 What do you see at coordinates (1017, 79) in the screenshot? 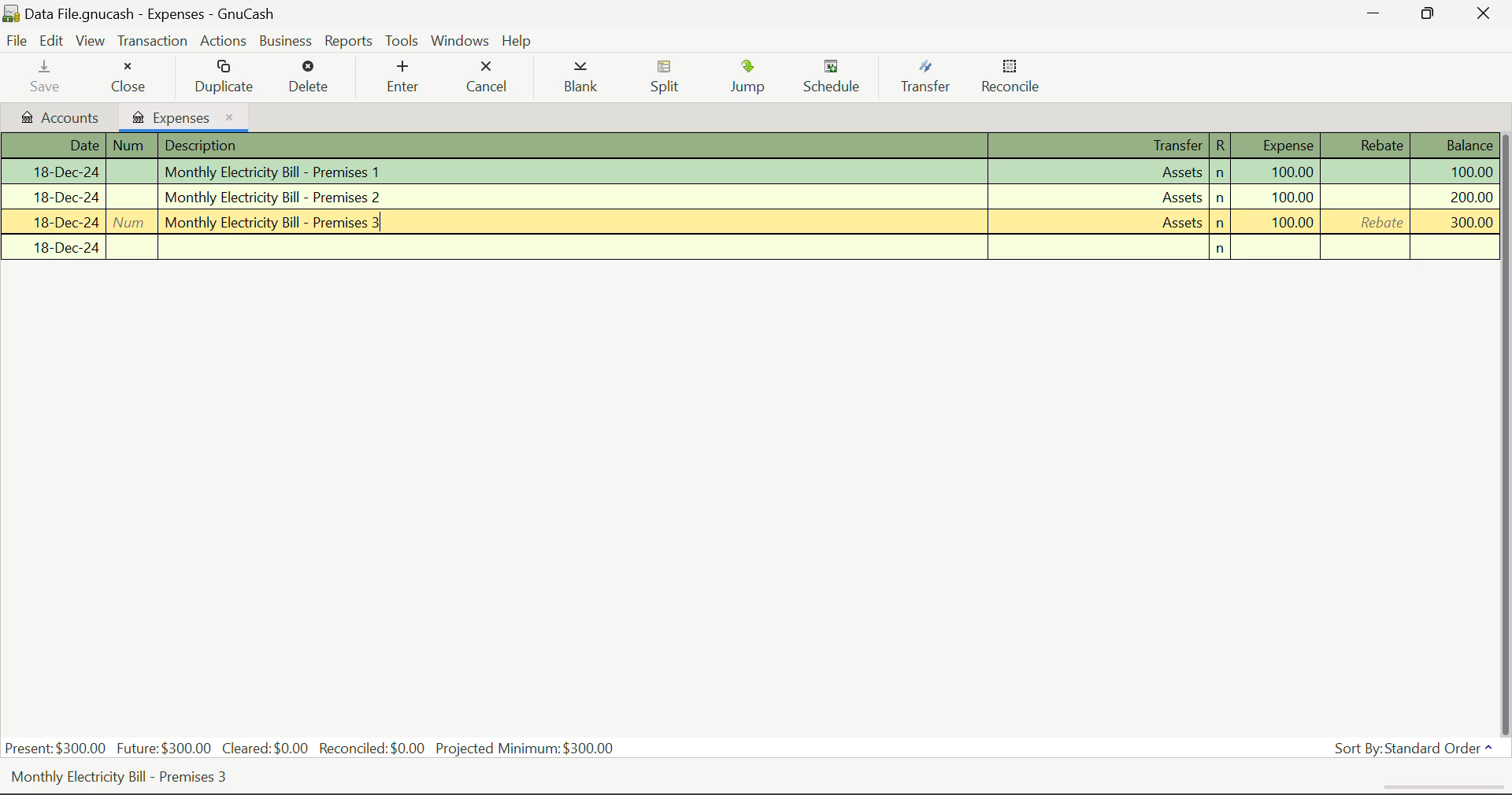
I see `Reconcile` at bounding box center [1017, 79].